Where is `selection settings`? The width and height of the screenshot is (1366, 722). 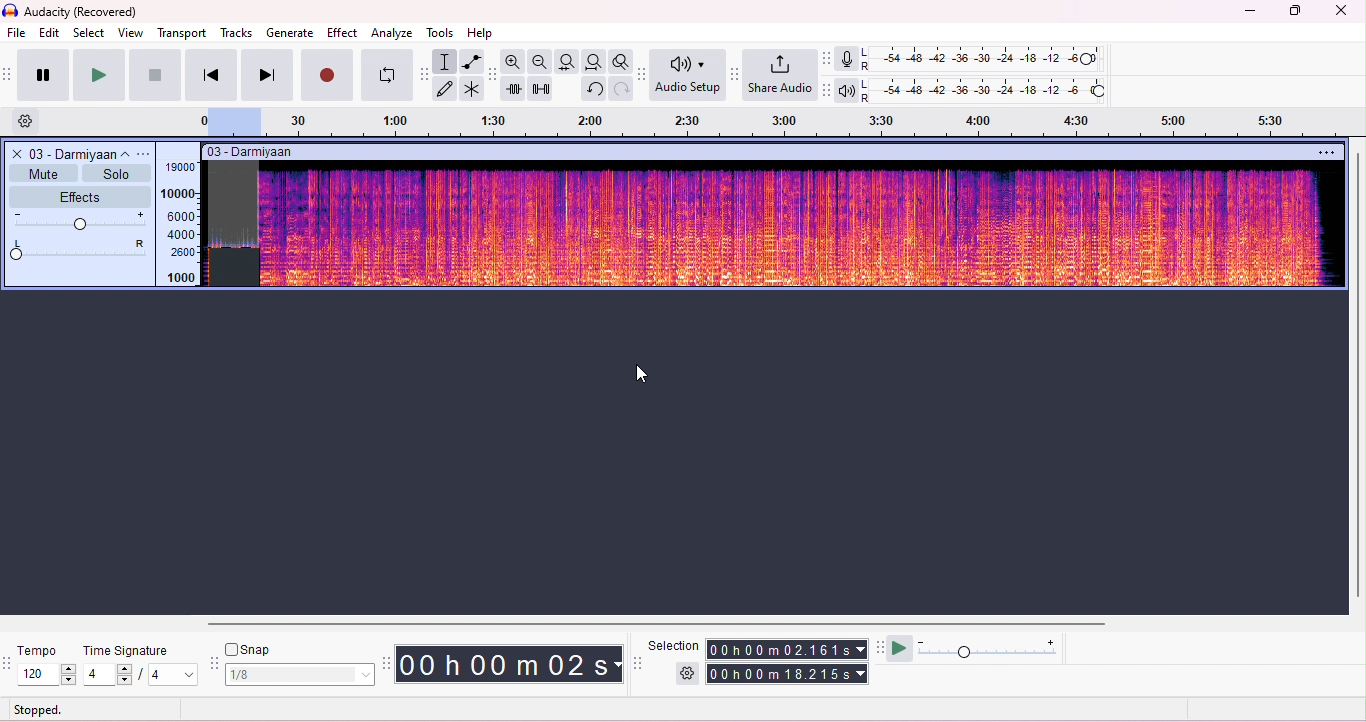 selection settings is located at coordinates (688, 673).